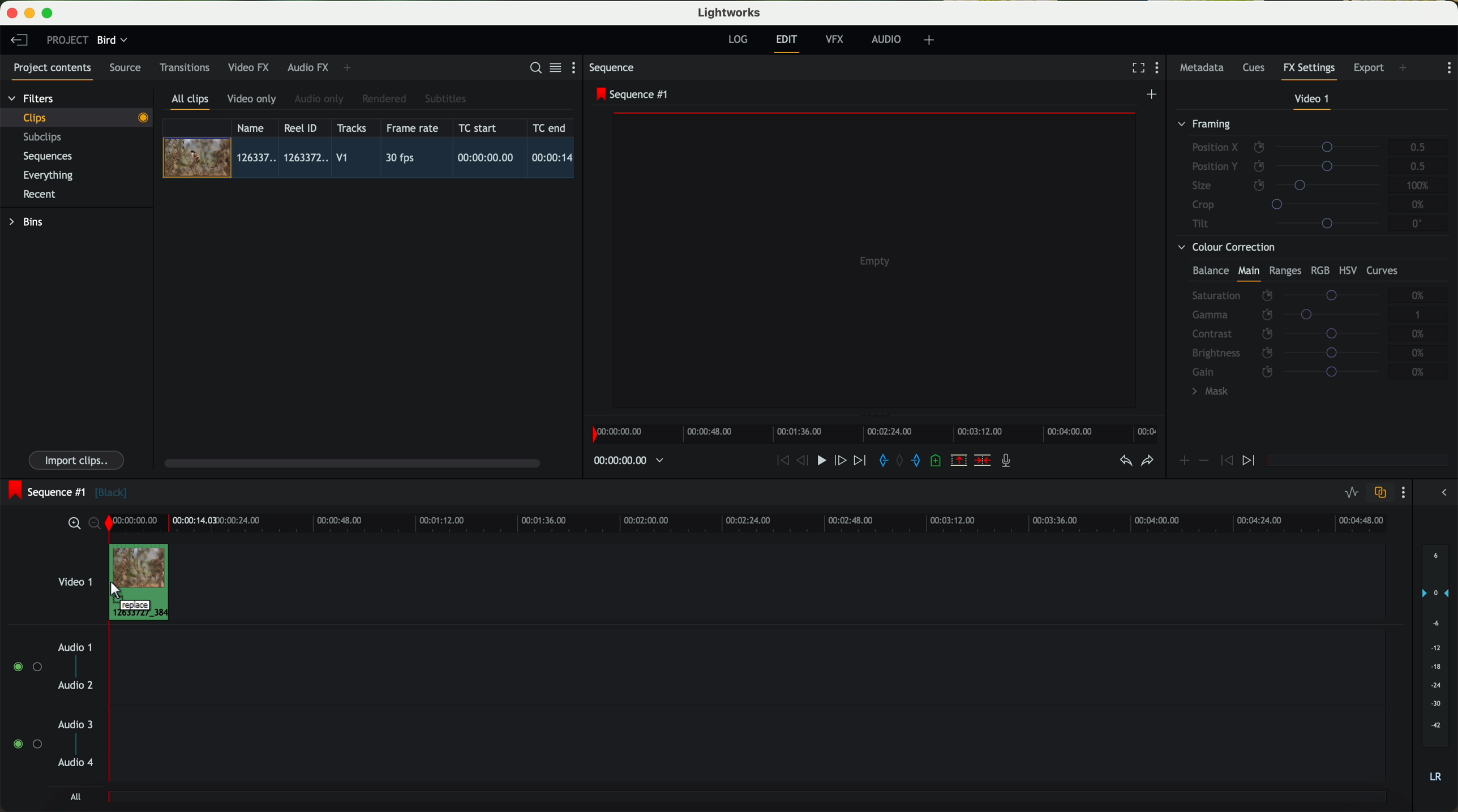 The height and width of the screenshot is (812, 1458). I want to click on timeline, so click(871, 431).